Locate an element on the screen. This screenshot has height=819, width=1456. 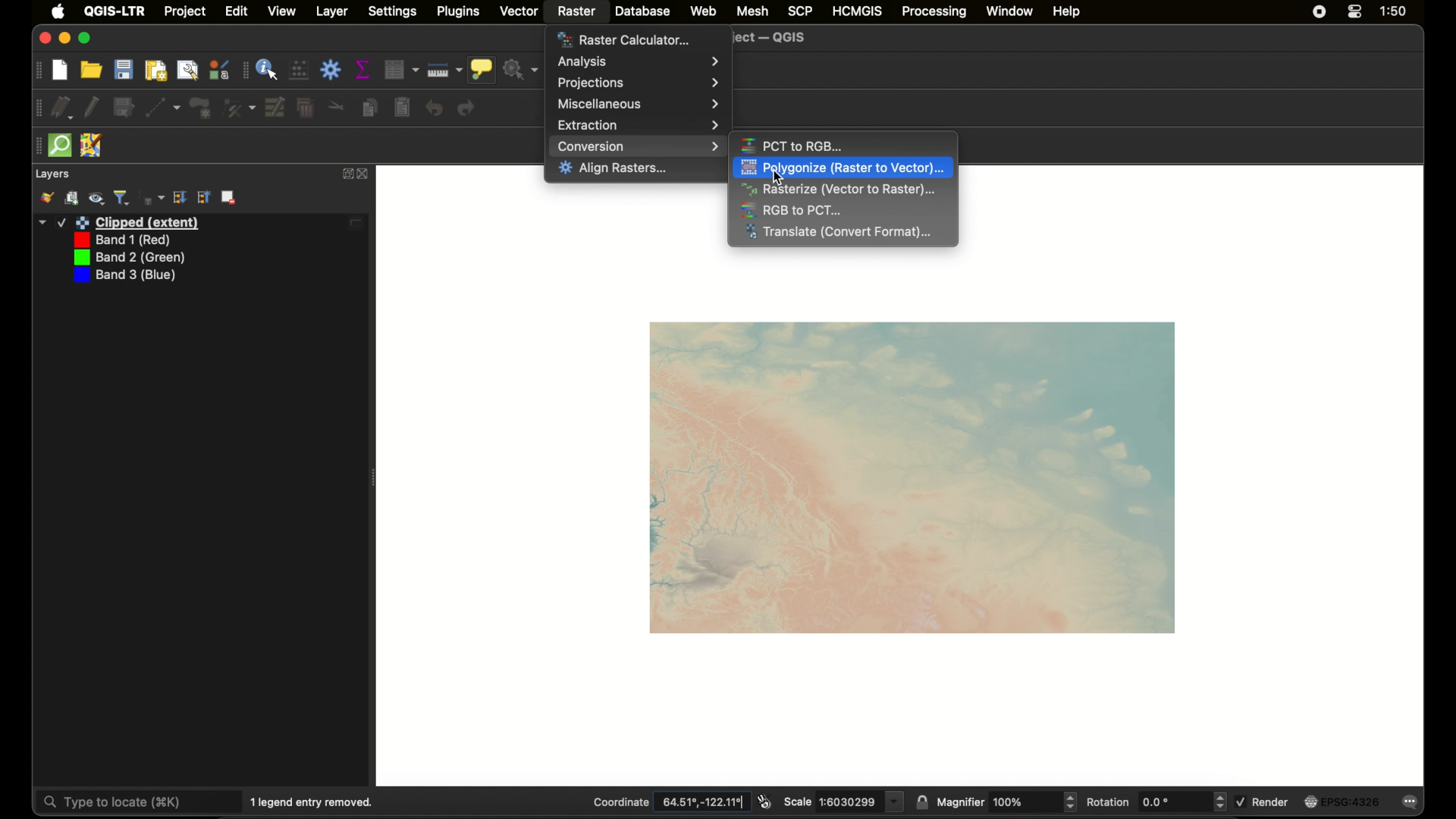
redo is located at coordinates (468, 108).